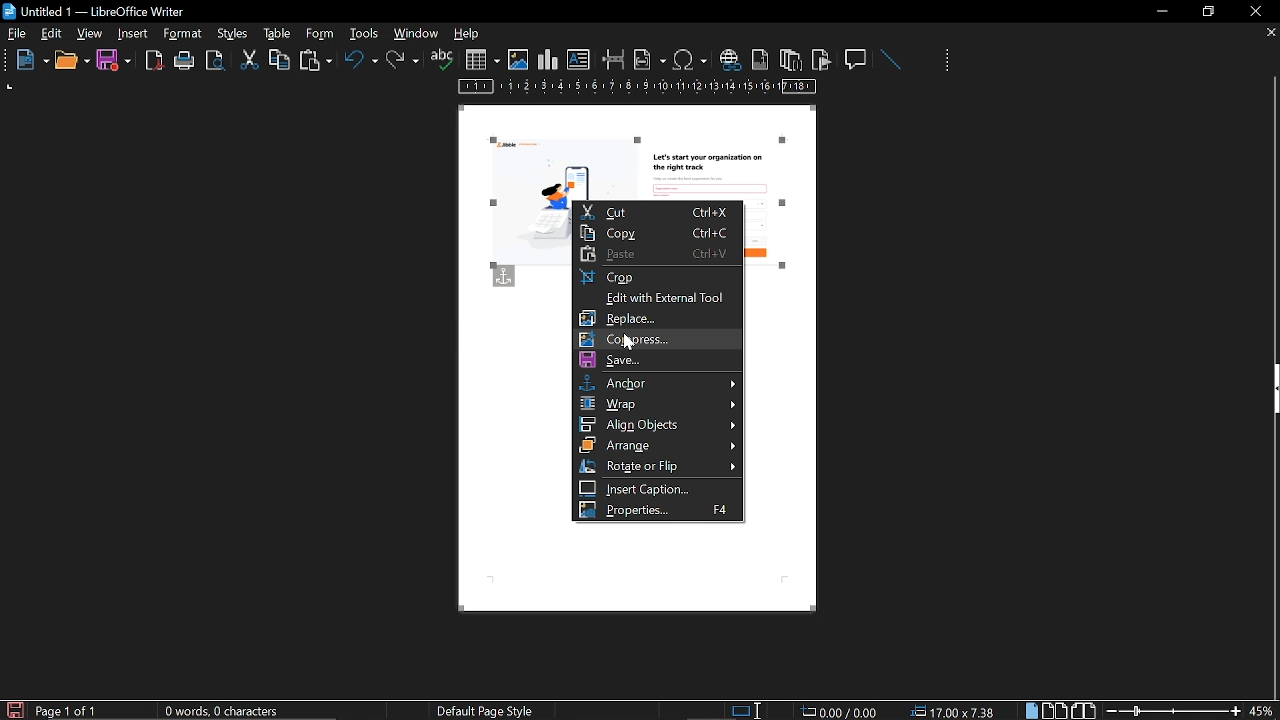  What do you see at coordinates (662, 488) in the screenshot?
I see `insert caption` at bounding box center [662, 488].